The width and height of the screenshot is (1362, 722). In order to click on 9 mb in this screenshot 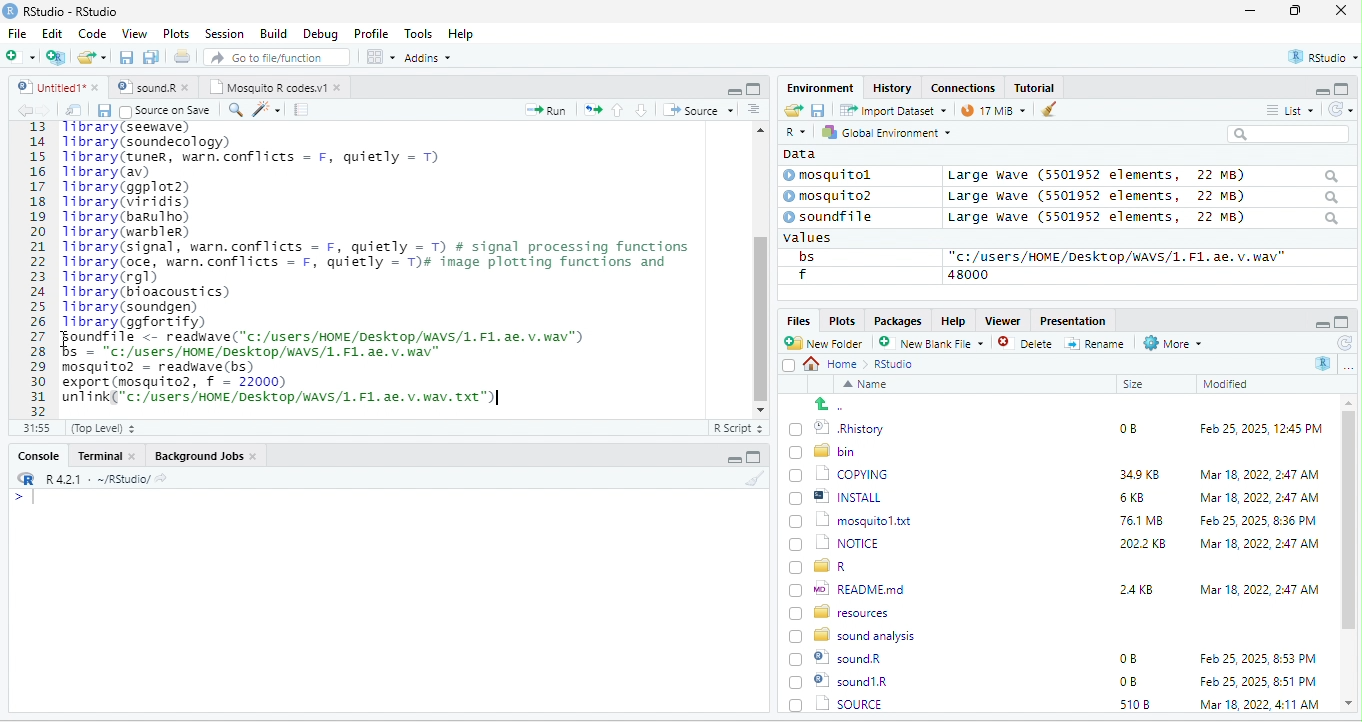, I will do `click(993, 112)`.